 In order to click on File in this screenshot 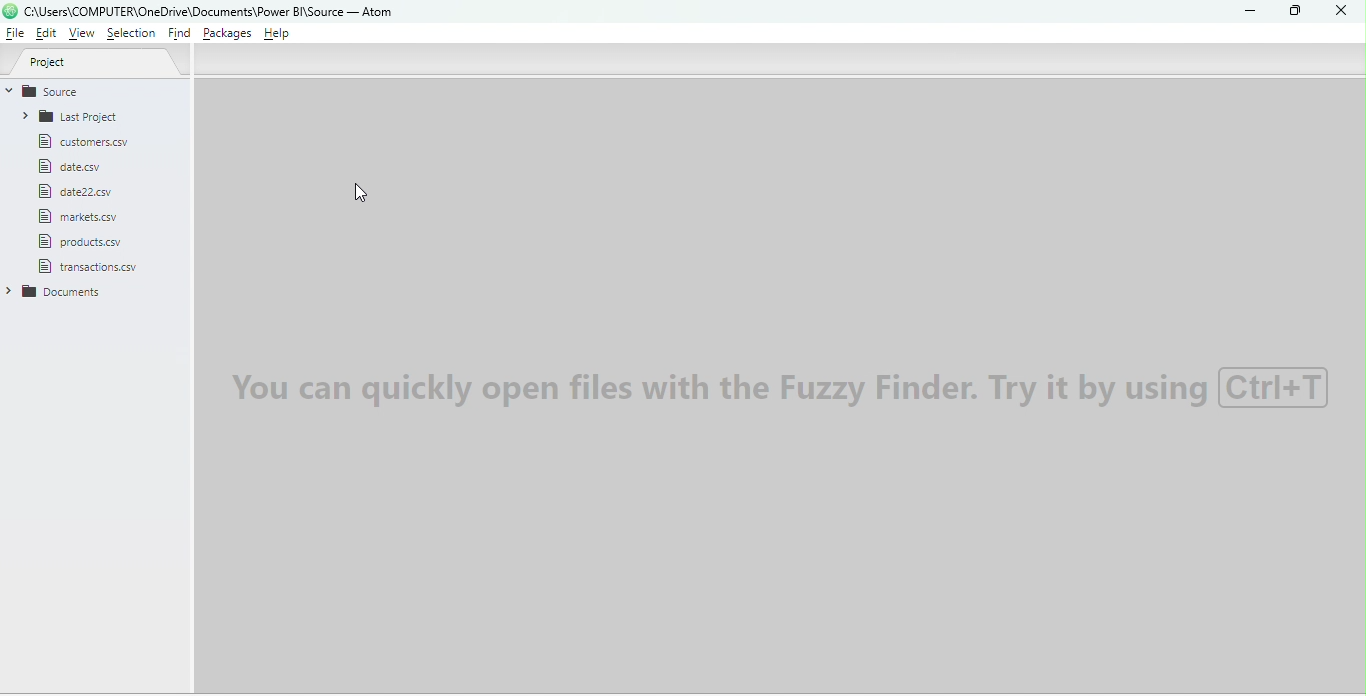, I will do `click(89, 240)`.